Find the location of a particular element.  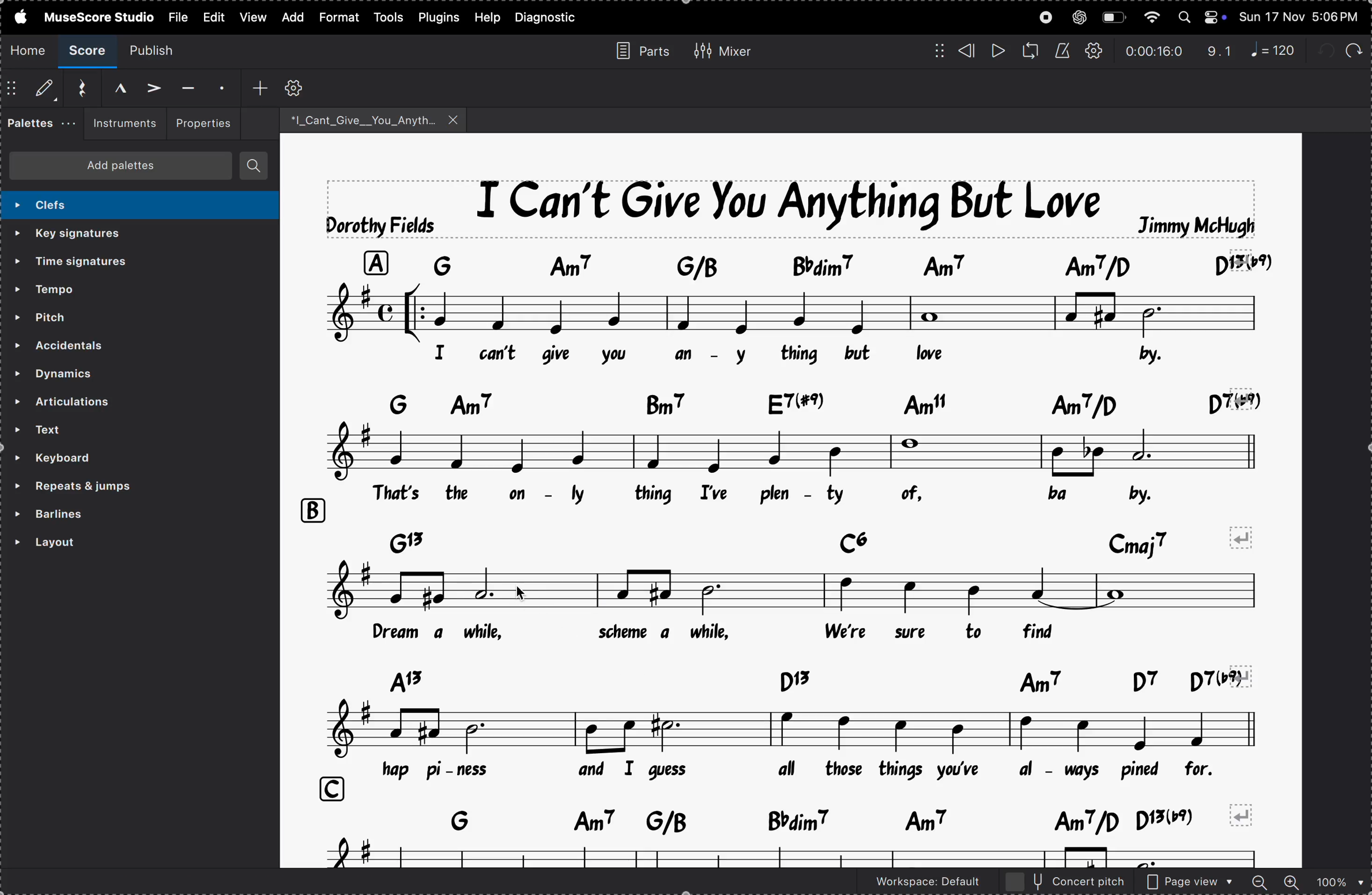

instrument is located at coordinates (120, 124).